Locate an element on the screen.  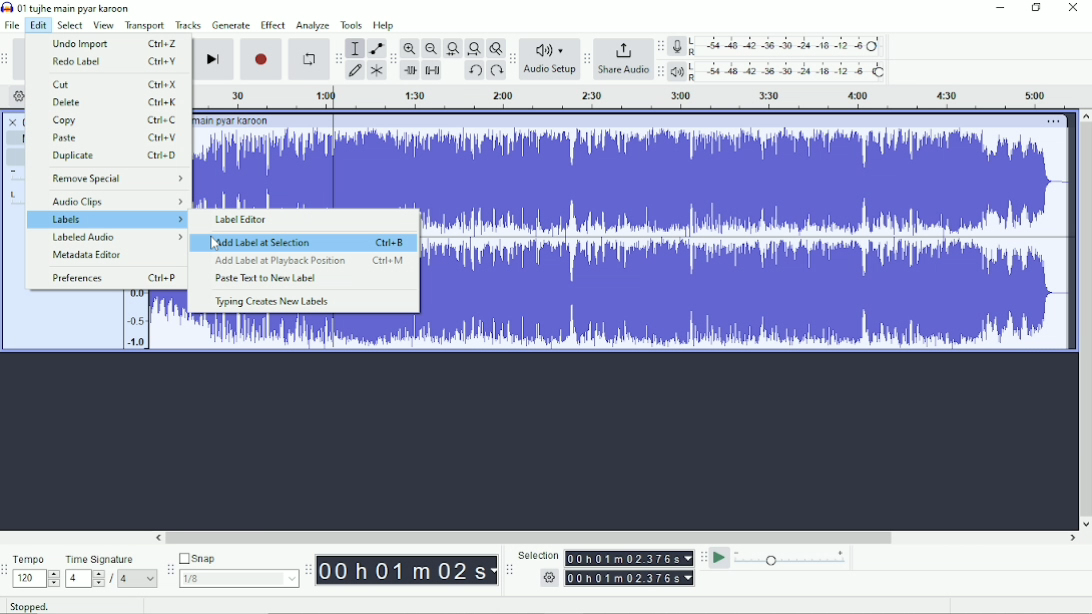
Tempo is located at coordinates (36, 570).